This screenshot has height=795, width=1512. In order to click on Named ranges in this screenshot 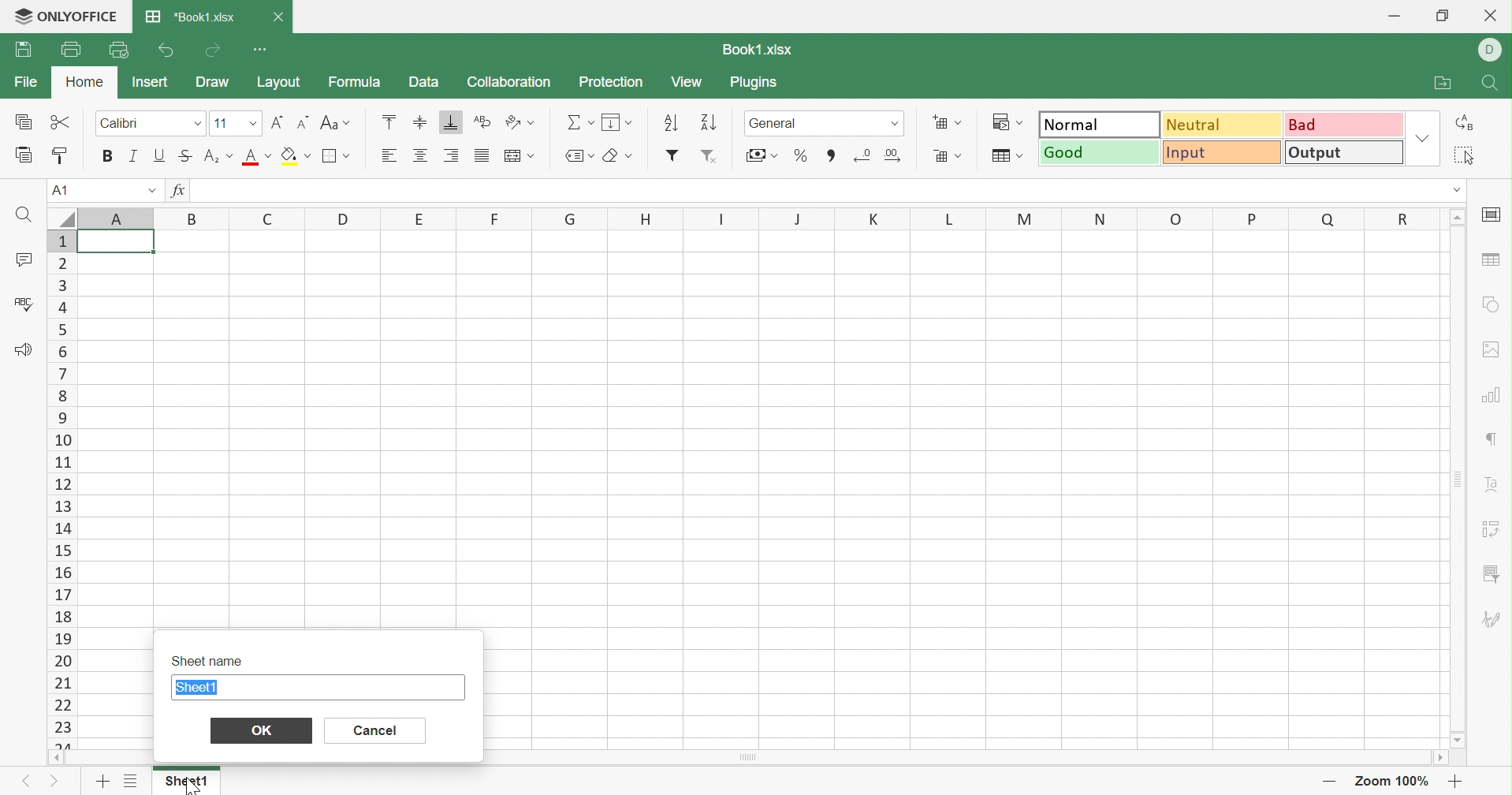, I will do `click(581, 155)`.